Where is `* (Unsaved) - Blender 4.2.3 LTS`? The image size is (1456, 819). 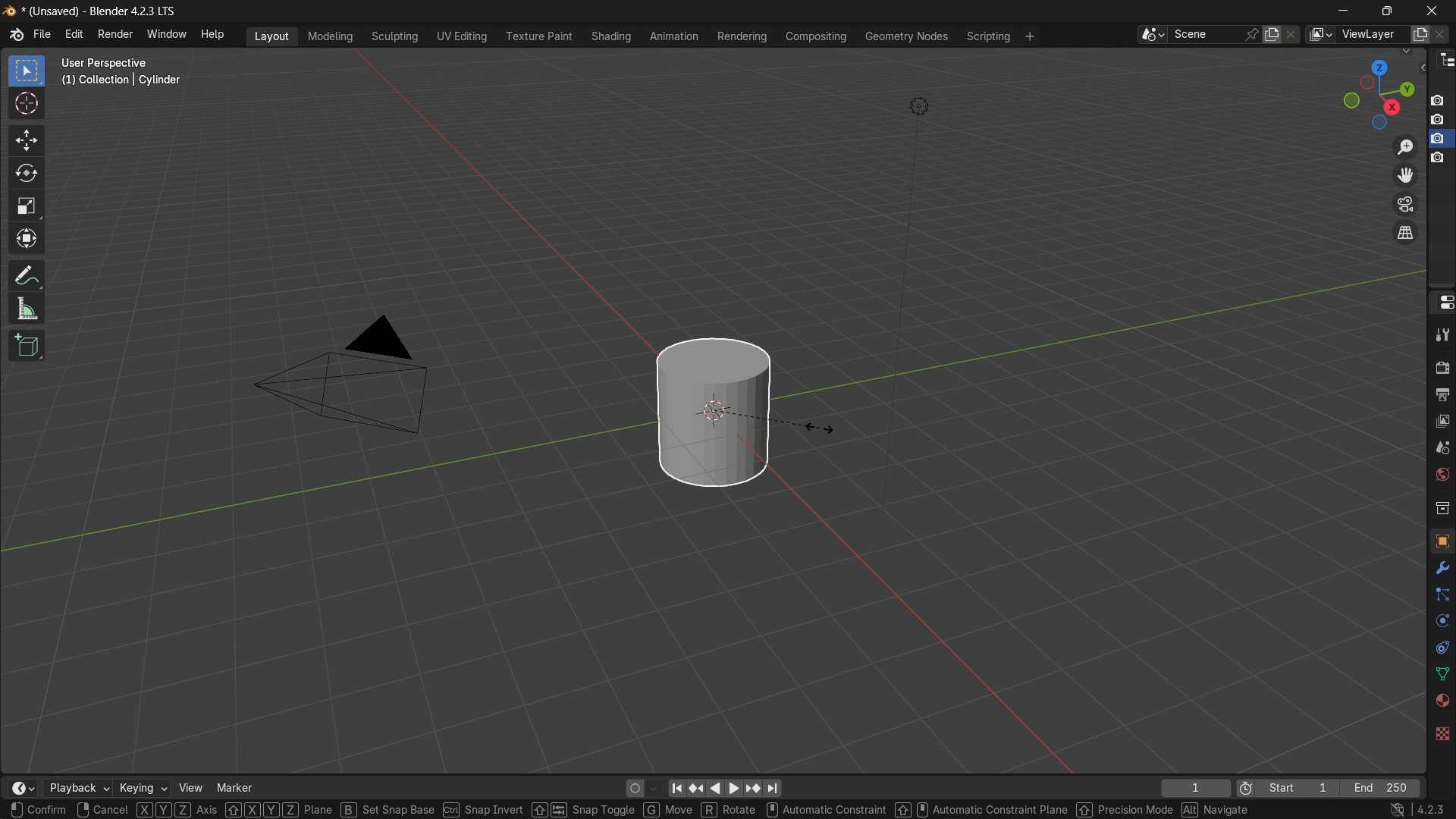
* (Unsaved) - Blender 4.2.3 LTS is located at coordinates (103, 11).